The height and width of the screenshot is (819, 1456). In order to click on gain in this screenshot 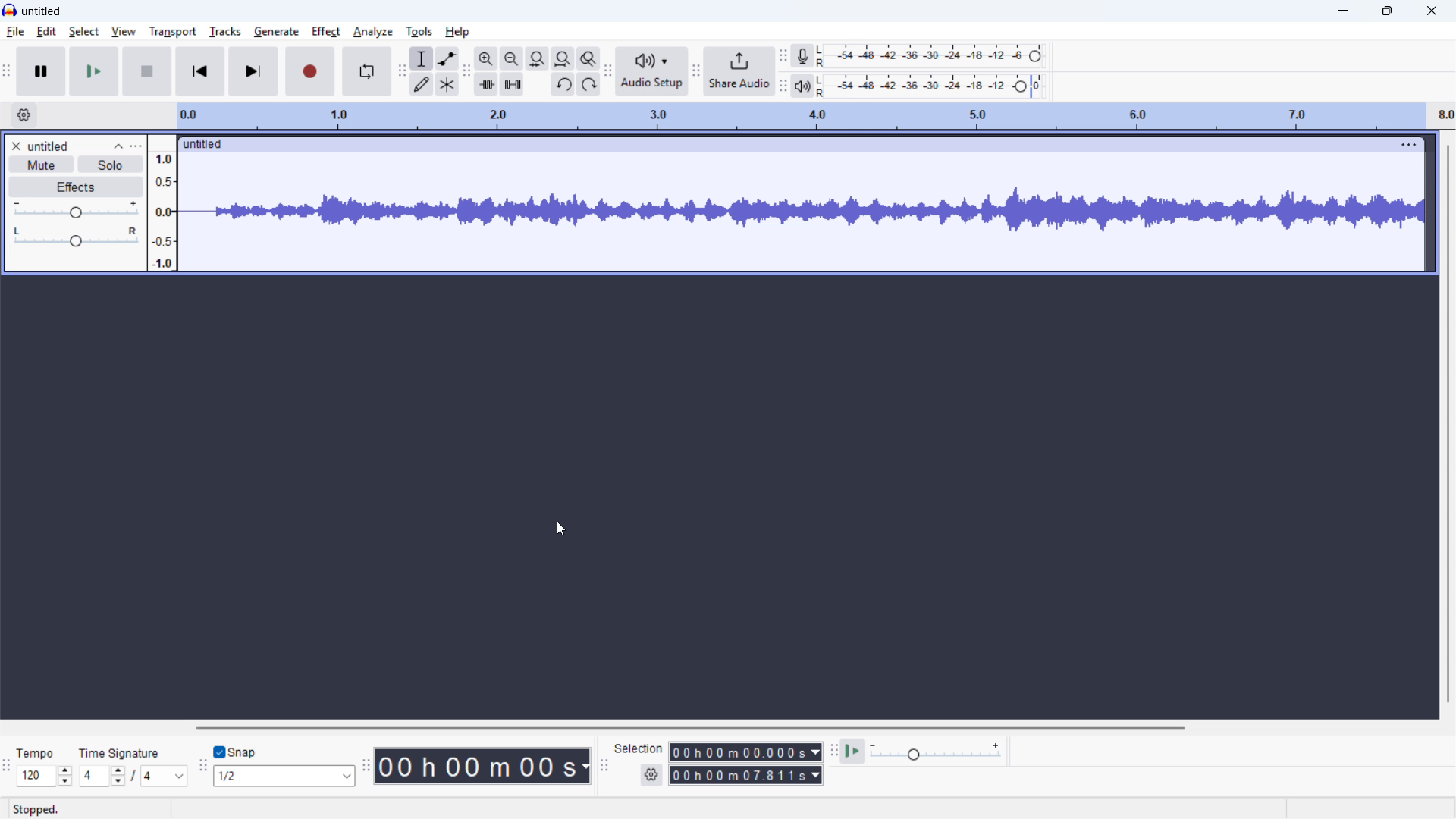, I will do `click(76, 210)`.